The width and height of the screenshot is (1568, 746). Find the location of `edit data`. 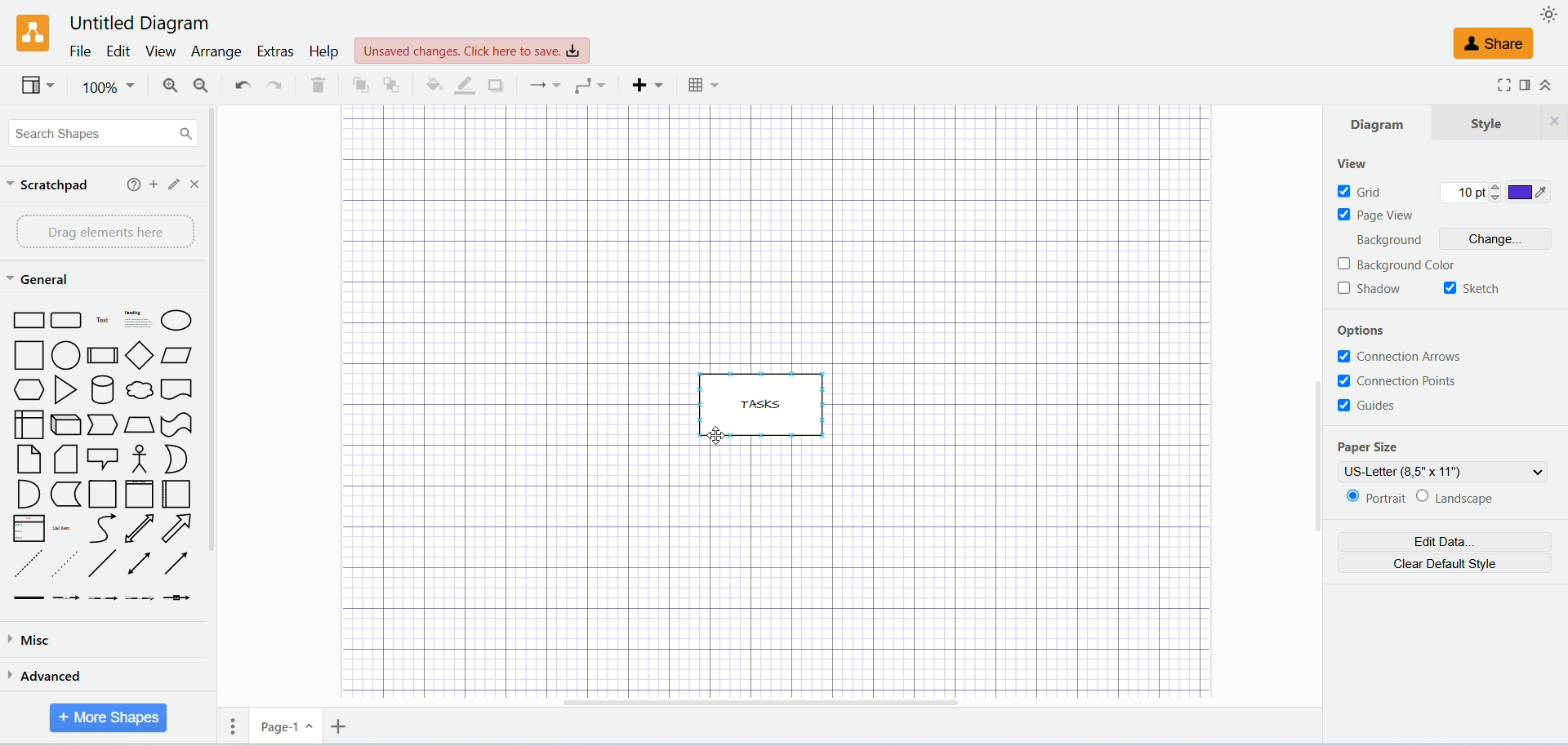

edit data is located at coordinates (1443, 540).